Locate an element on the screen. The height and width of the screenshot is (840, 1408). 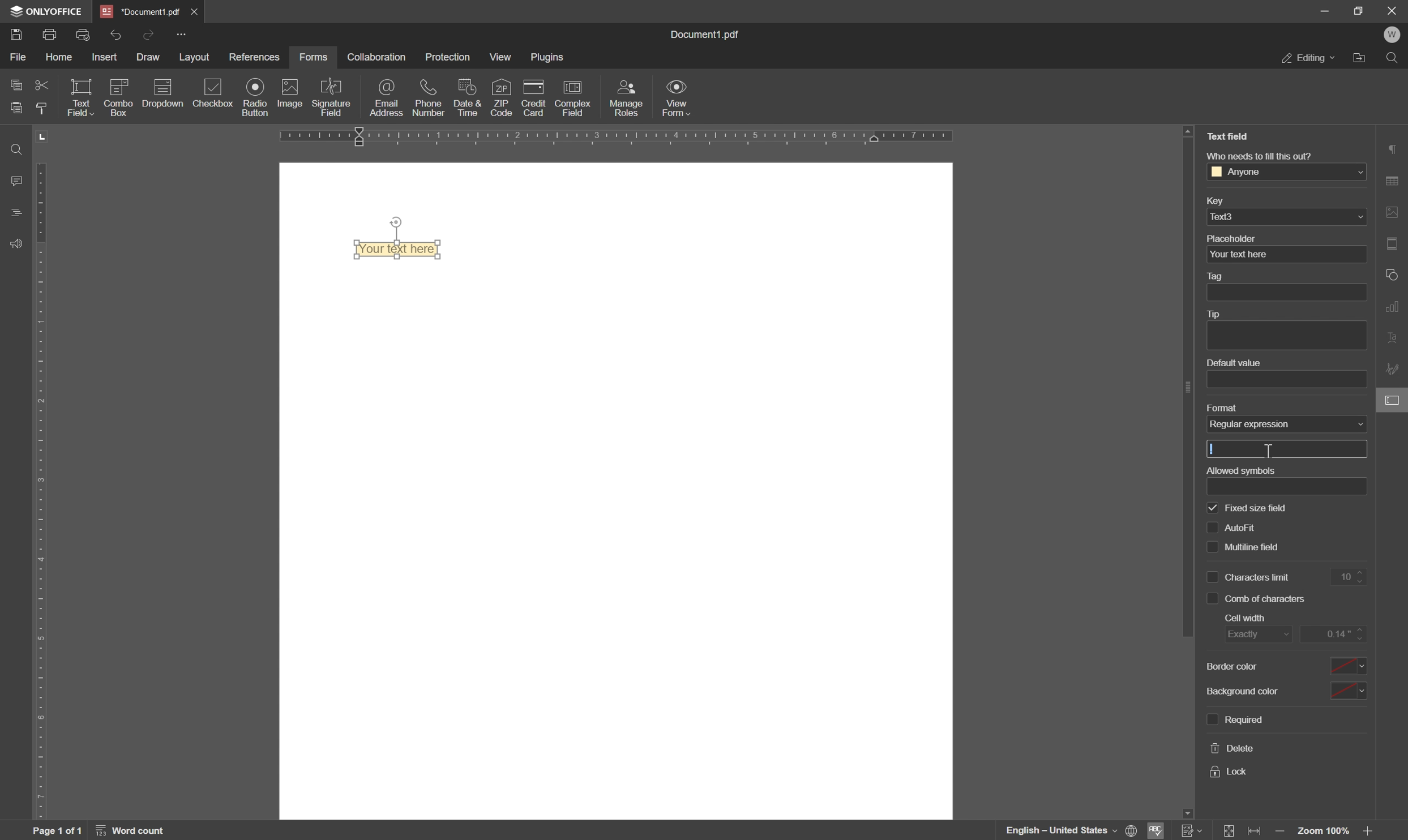
shape settings is located at coordinates (1393, 274).